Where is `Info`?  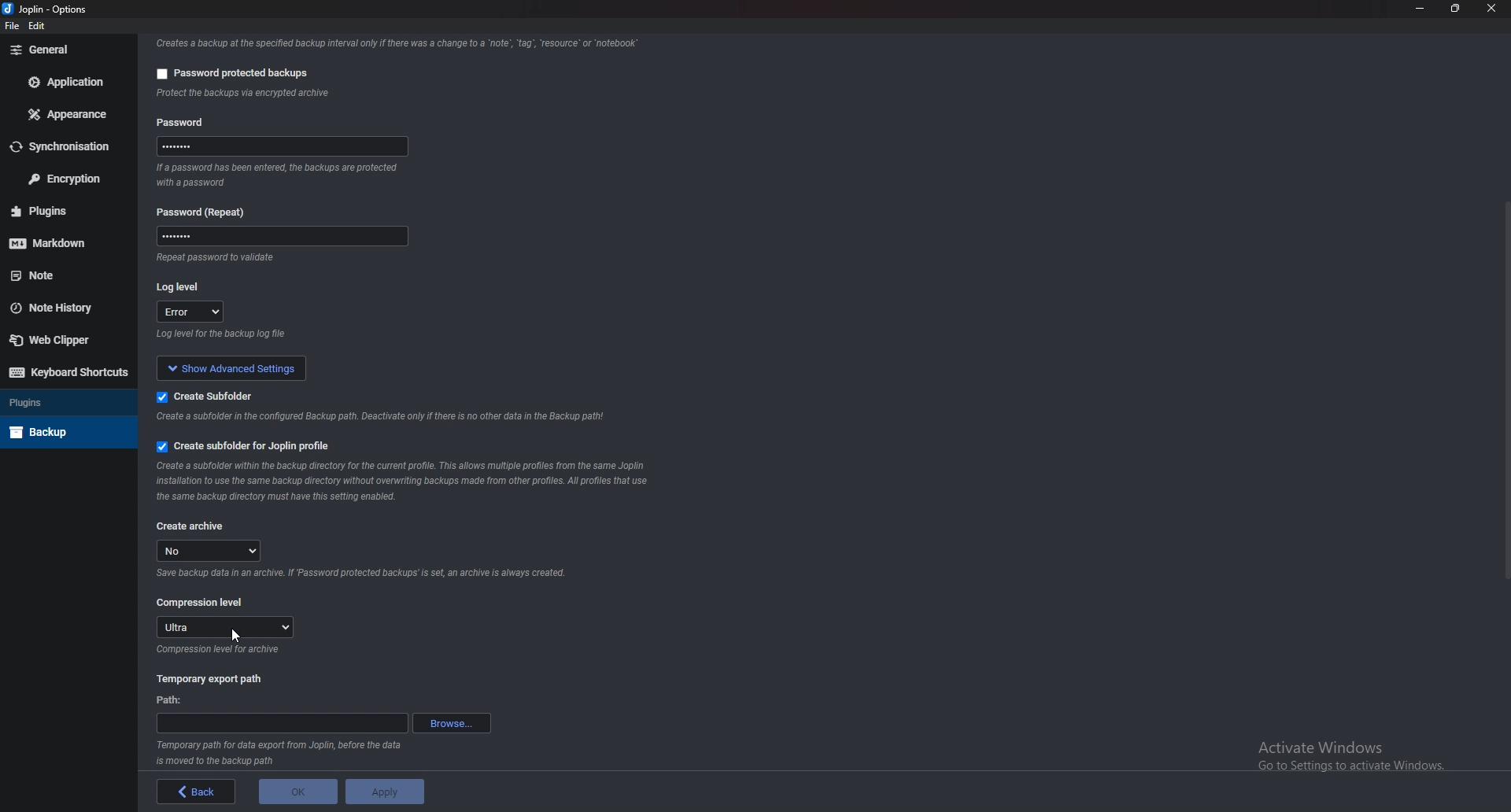 Info is located at coordinates (281, 754).